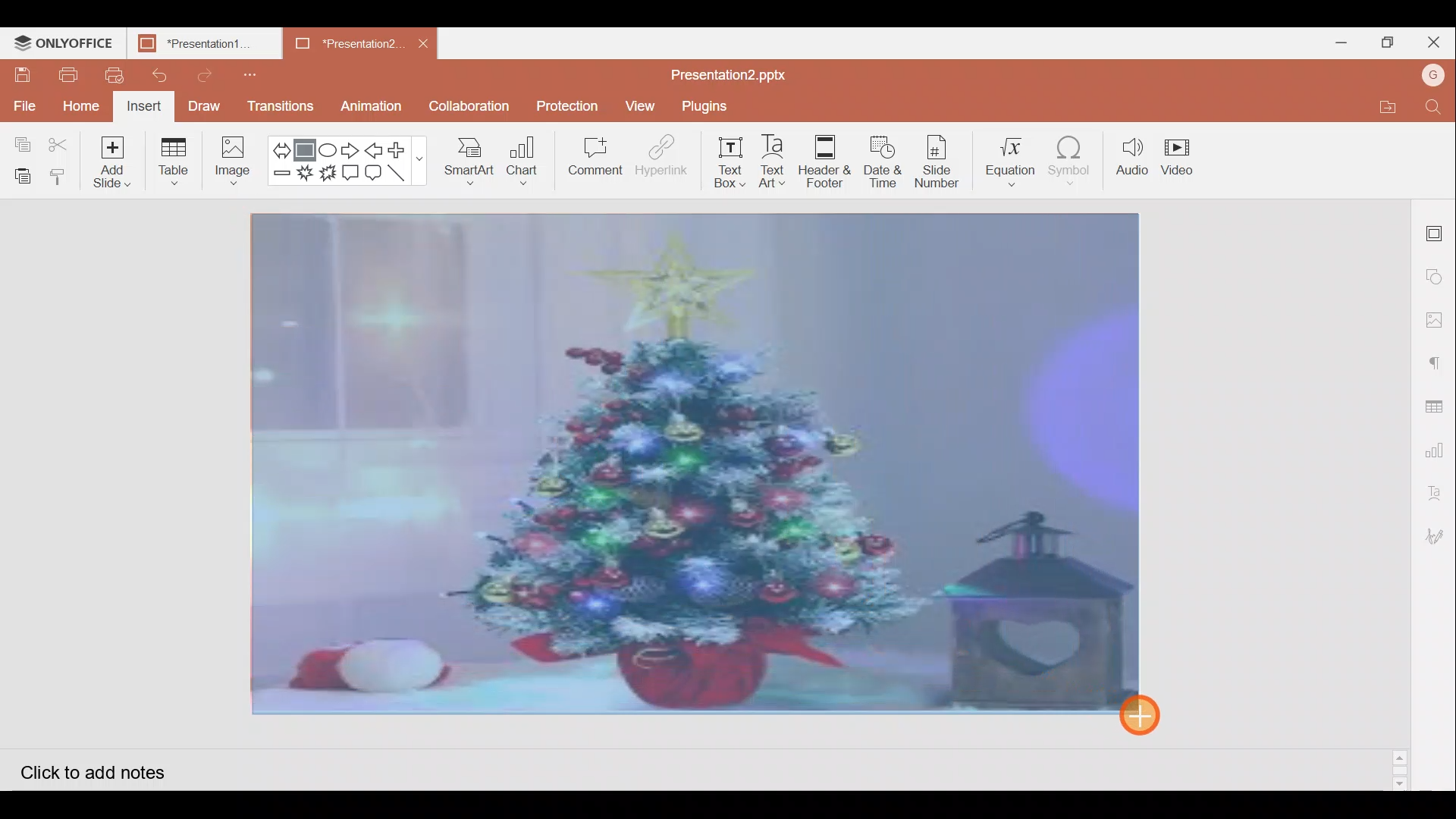 The image size is (1456, 819). Describe the element at coordinates (520, 164) in the screenshot. I see `Chart` at that location.